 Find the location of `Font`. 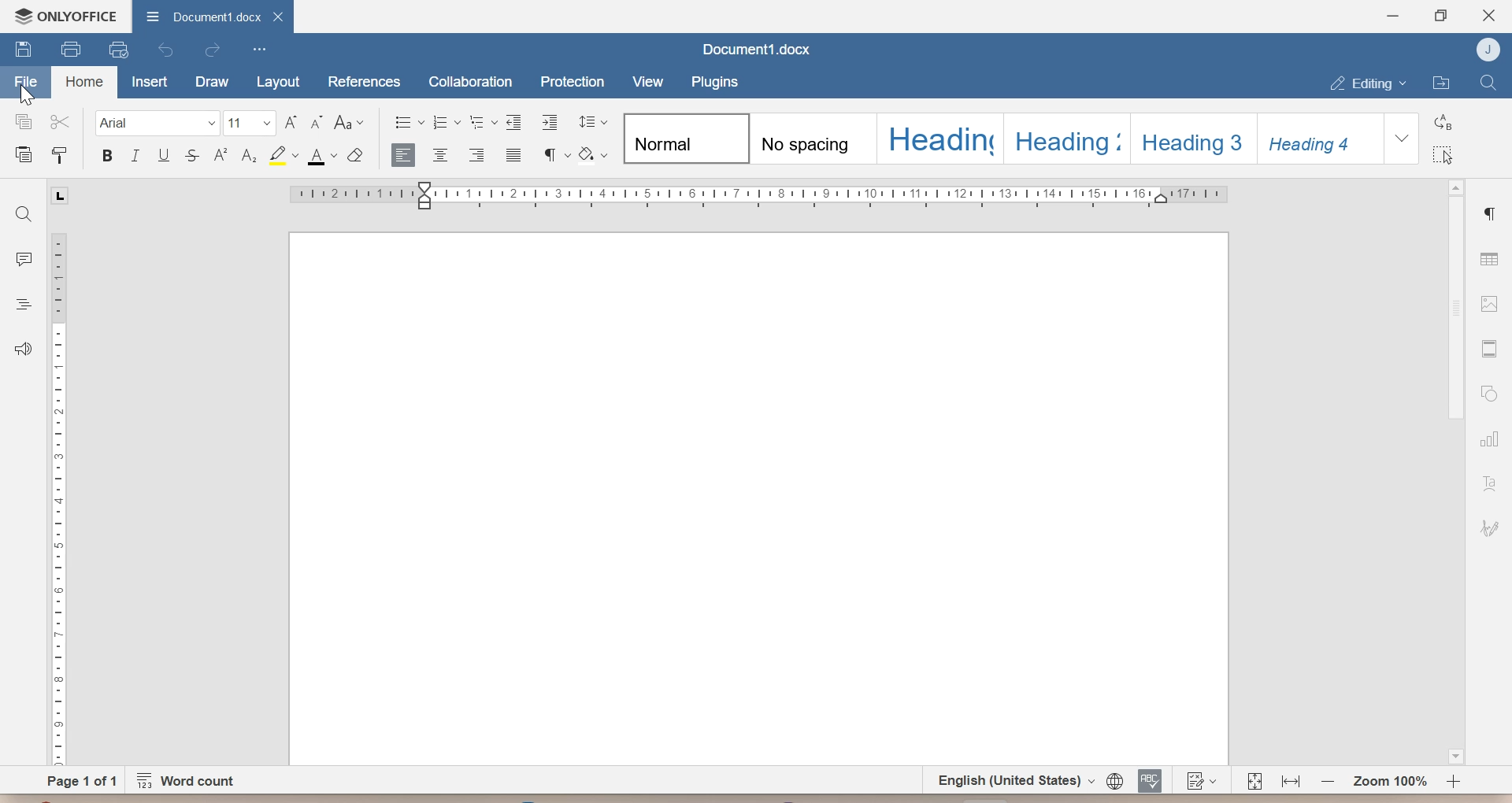

Font is located at coordinates (157, 124).